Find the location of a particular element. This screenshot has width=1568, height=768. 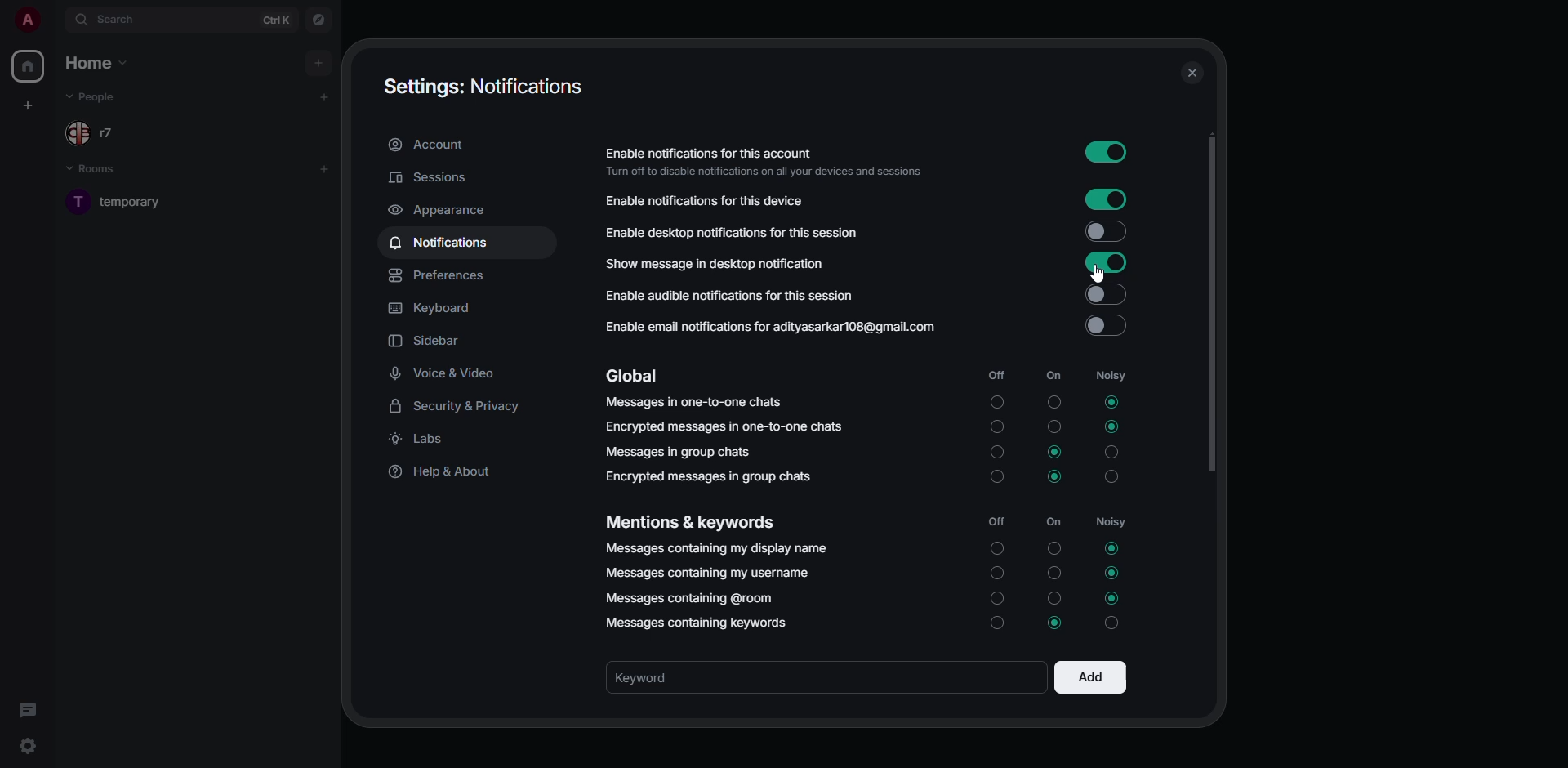

Off Unselected is located at coordinates (998, 597).